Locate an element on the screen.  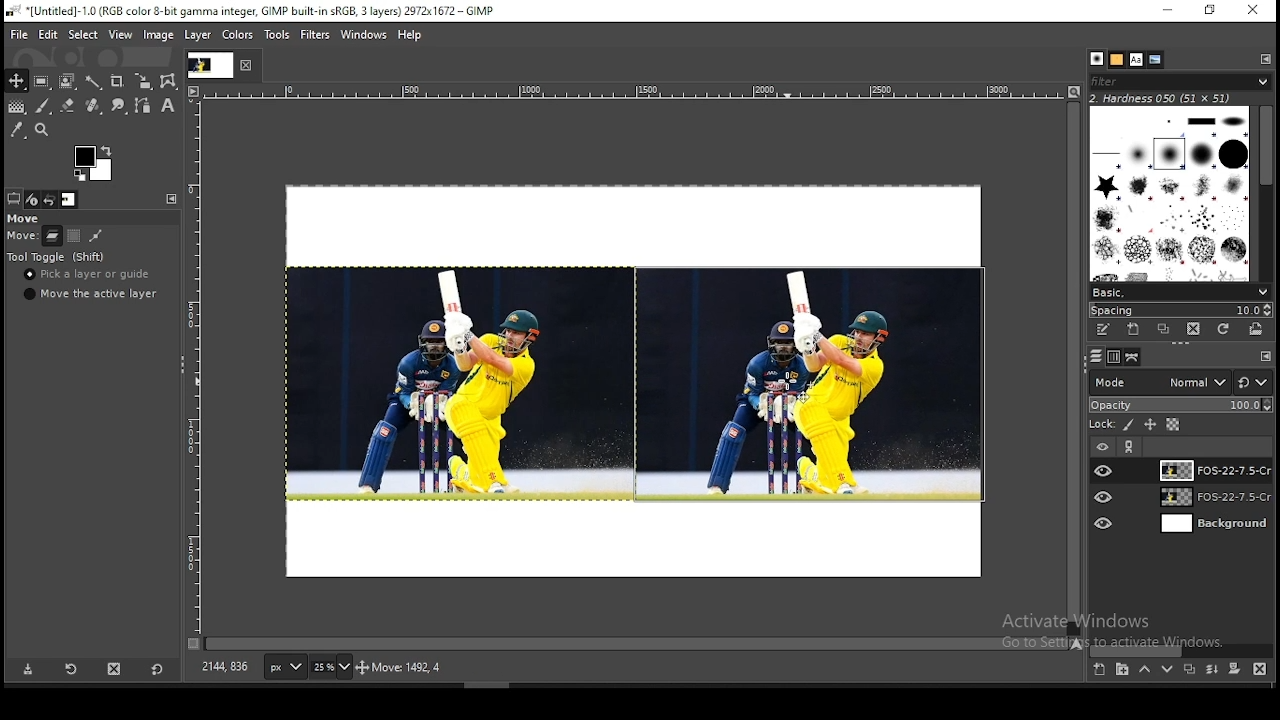
fuzzy select tool is located at coordinates (96, 80).